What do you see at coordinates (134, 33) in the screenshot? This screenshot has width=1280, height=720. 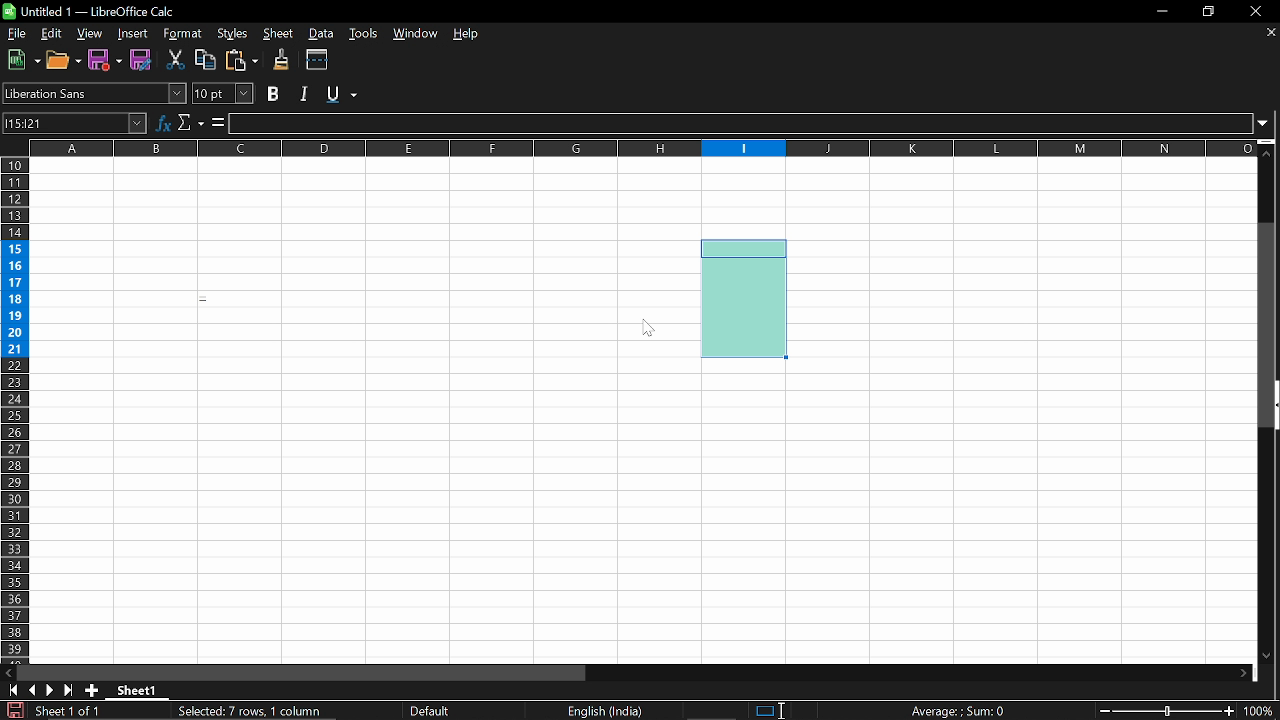 I see `Insert` at bounding box center [134, 33].